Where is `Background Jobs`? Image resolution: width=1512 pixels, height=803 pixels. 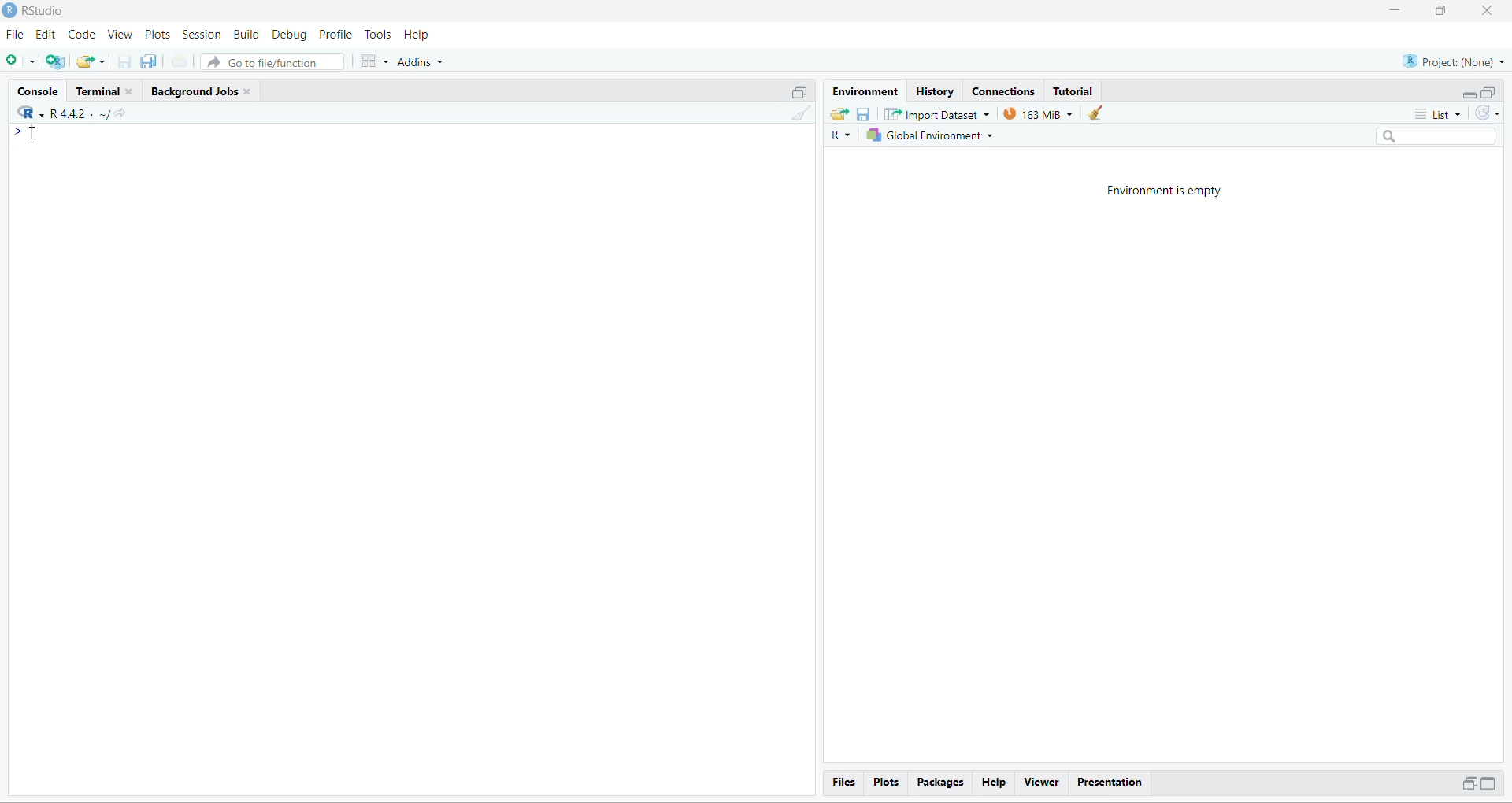 Background Jobs is located at coordinates (205, 90).